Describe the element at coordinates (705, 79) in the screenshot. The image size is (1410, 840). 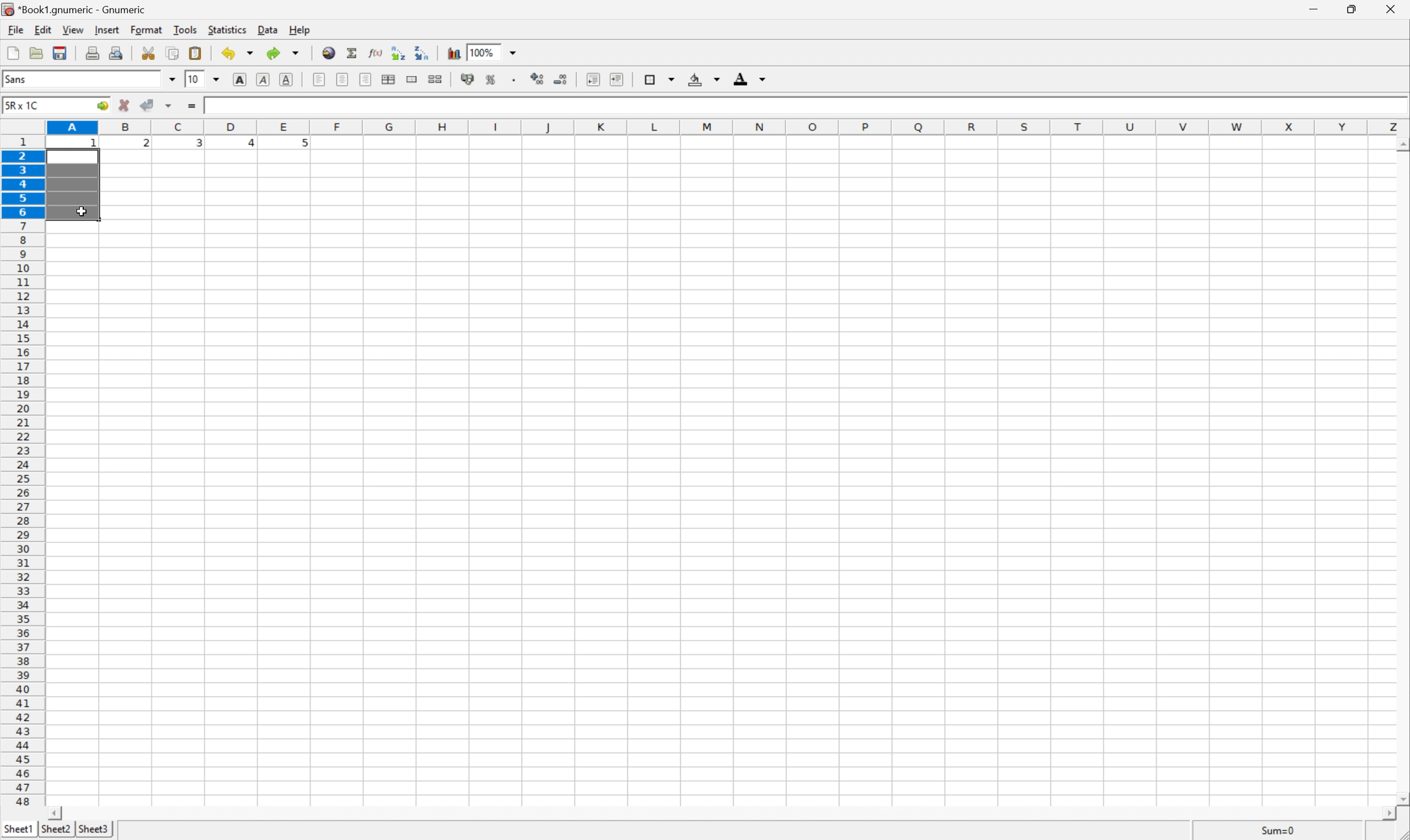
I see `background` at that location.